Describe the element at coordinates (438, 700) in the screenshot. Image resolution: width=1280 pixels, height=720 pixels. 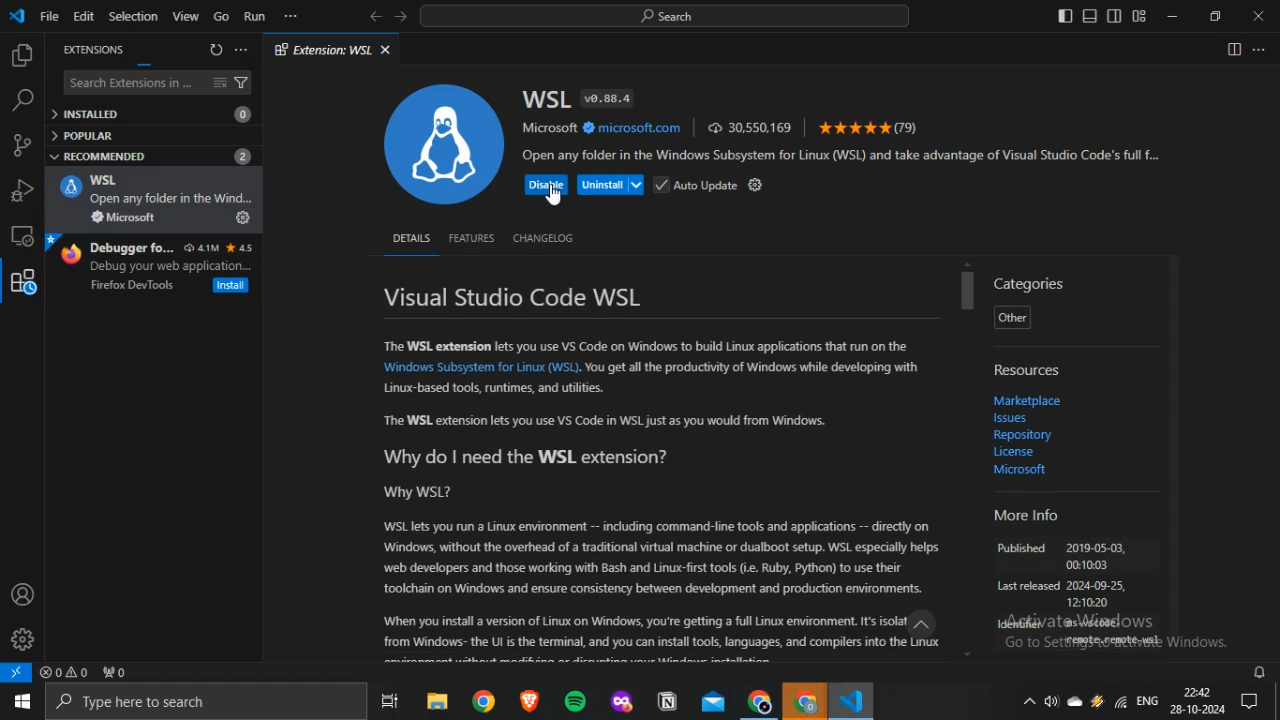
I see `file explorer` at that location.